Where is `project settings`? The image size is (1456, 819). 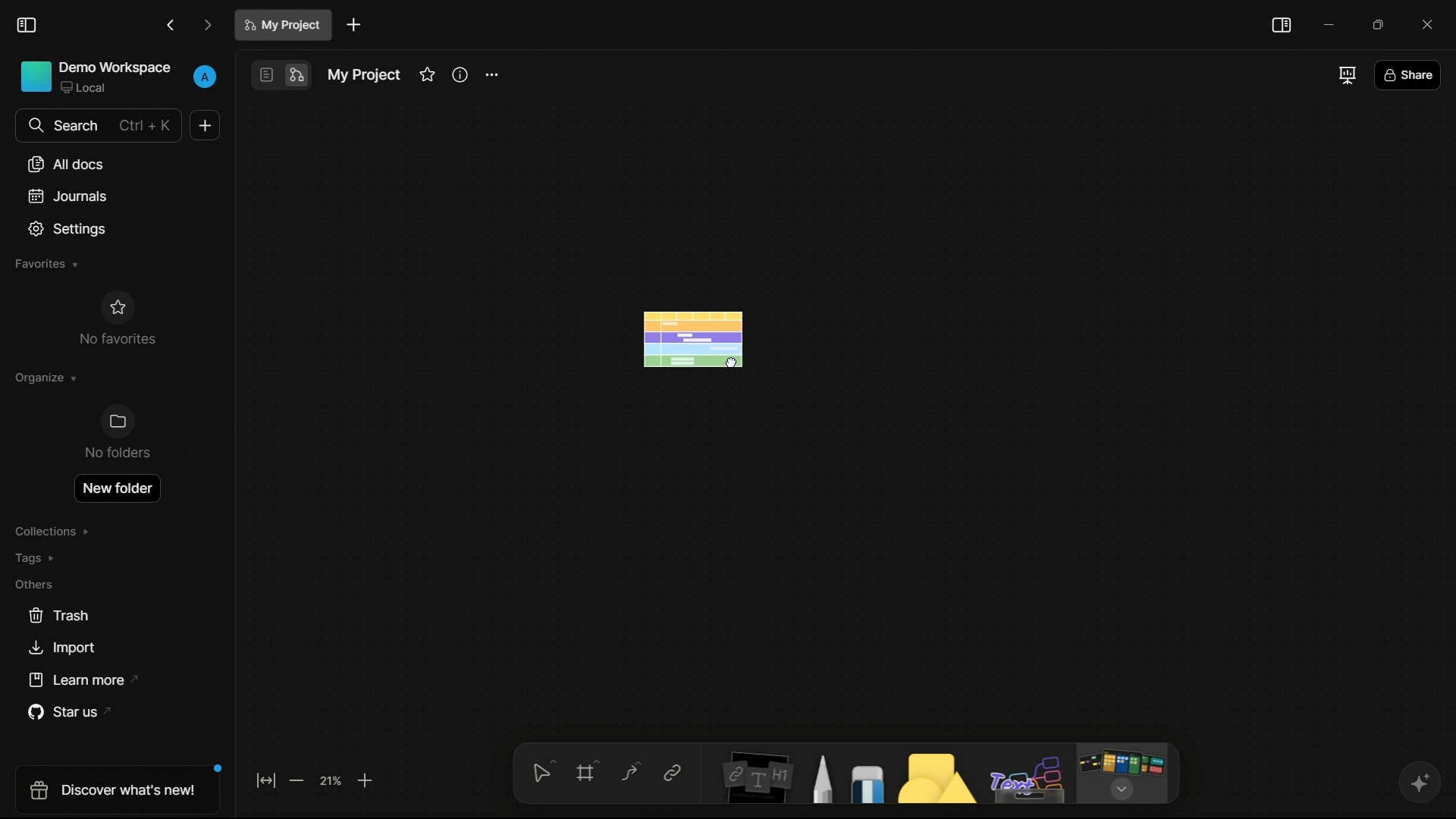 project settings is located at coordinates (493, 75).